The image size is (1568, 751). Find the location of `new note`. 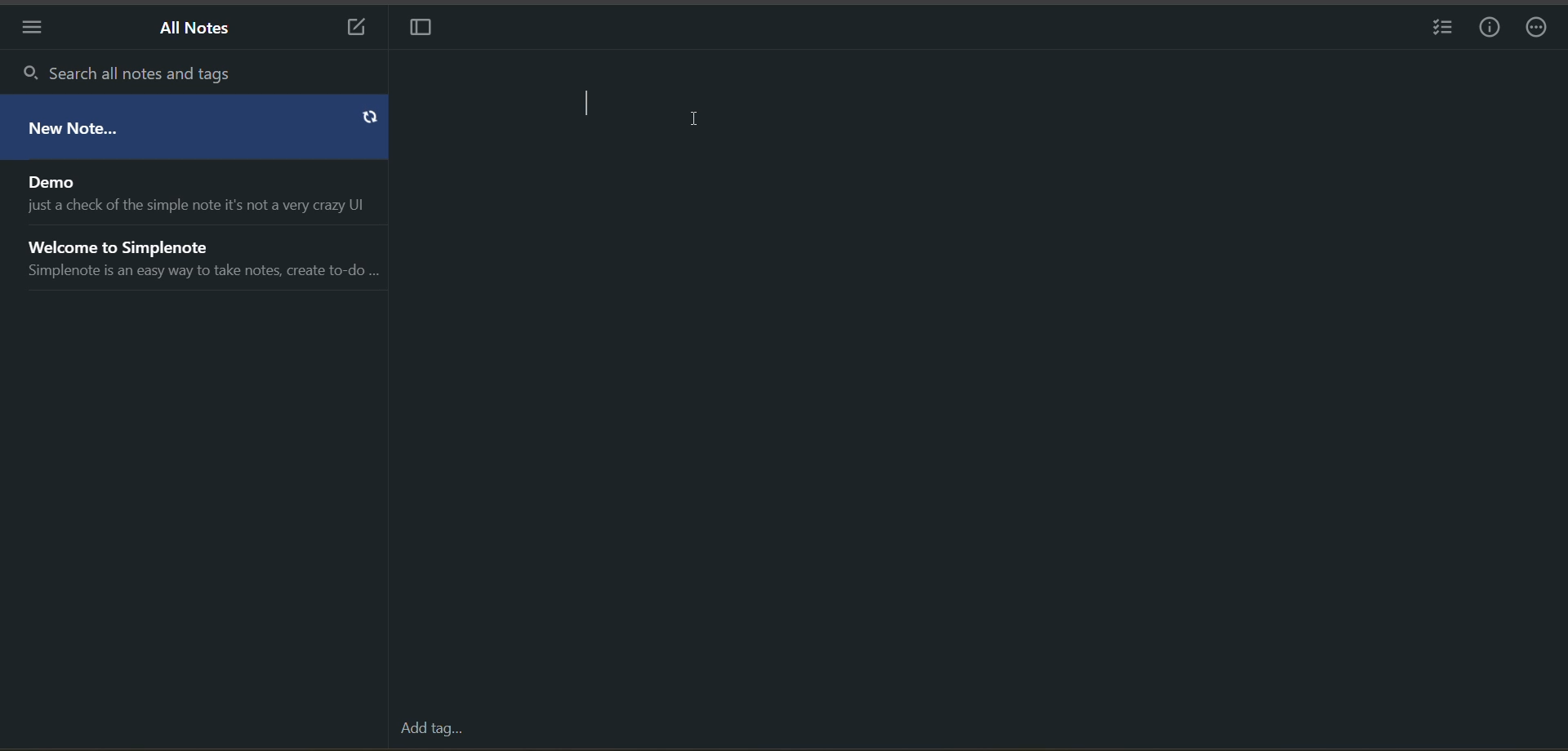

new note is located at coordinates (73, 131).